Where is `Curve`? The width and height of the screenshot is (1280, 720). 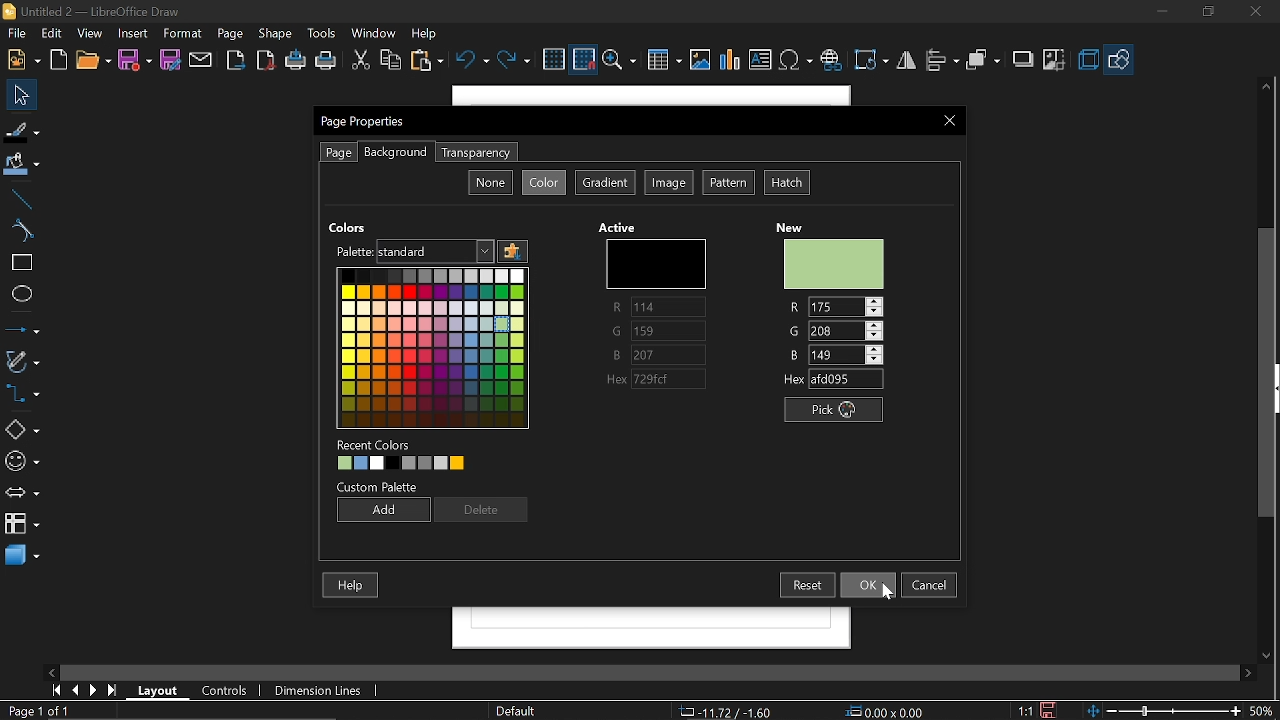 Curve is located at coordinates (19, 231).